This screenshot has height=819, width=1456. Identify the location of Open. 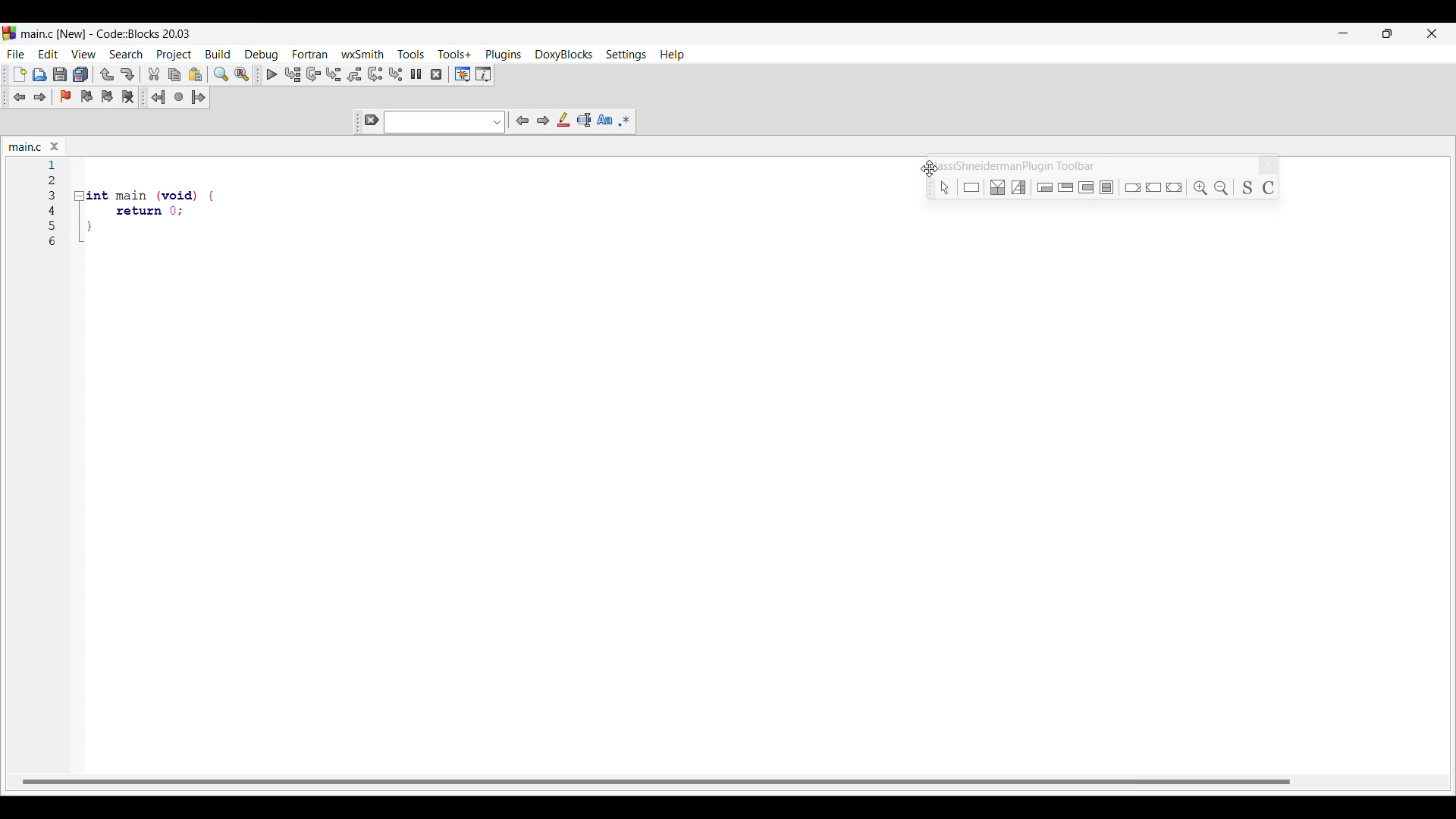
(40, 74).